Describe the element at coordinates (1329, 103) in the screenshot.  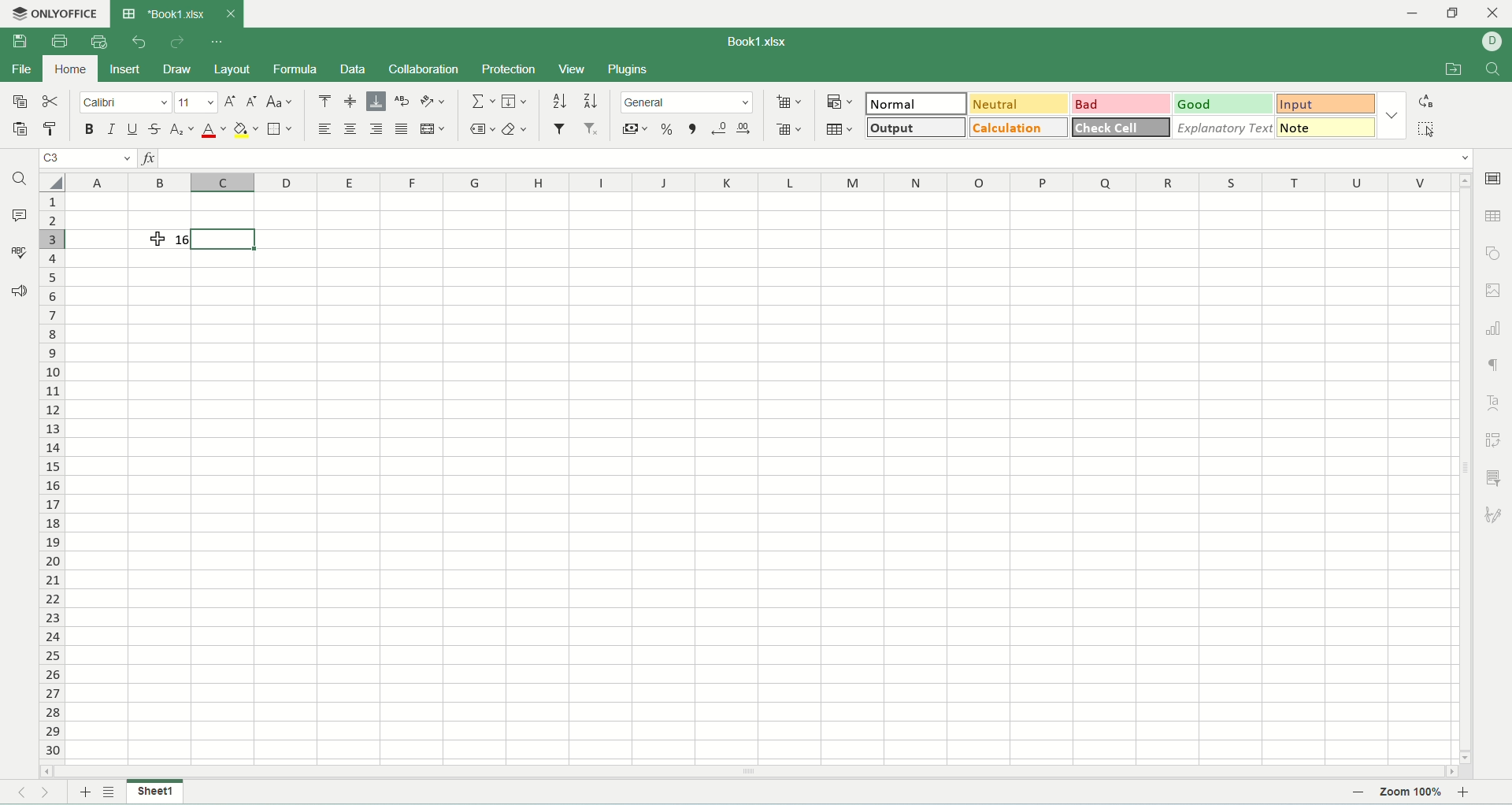
I see `input` at that location.